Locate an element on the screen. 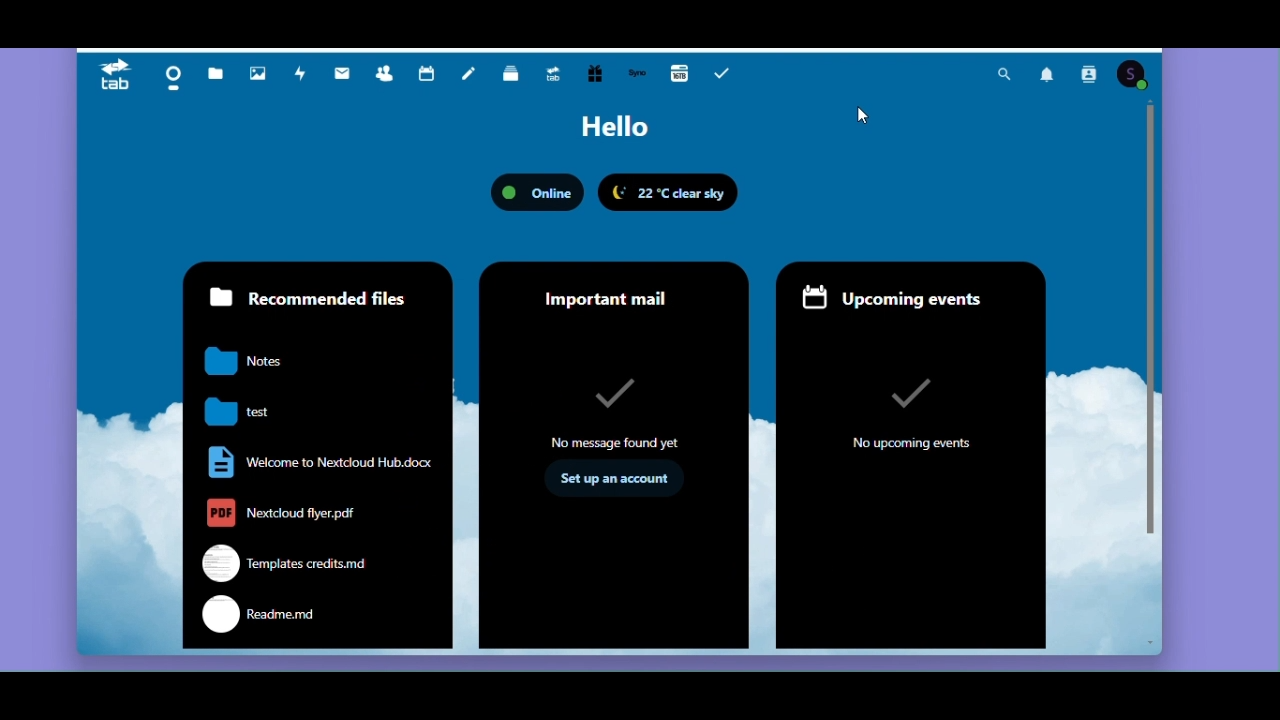  Hello is located at coordinates (614, 129).